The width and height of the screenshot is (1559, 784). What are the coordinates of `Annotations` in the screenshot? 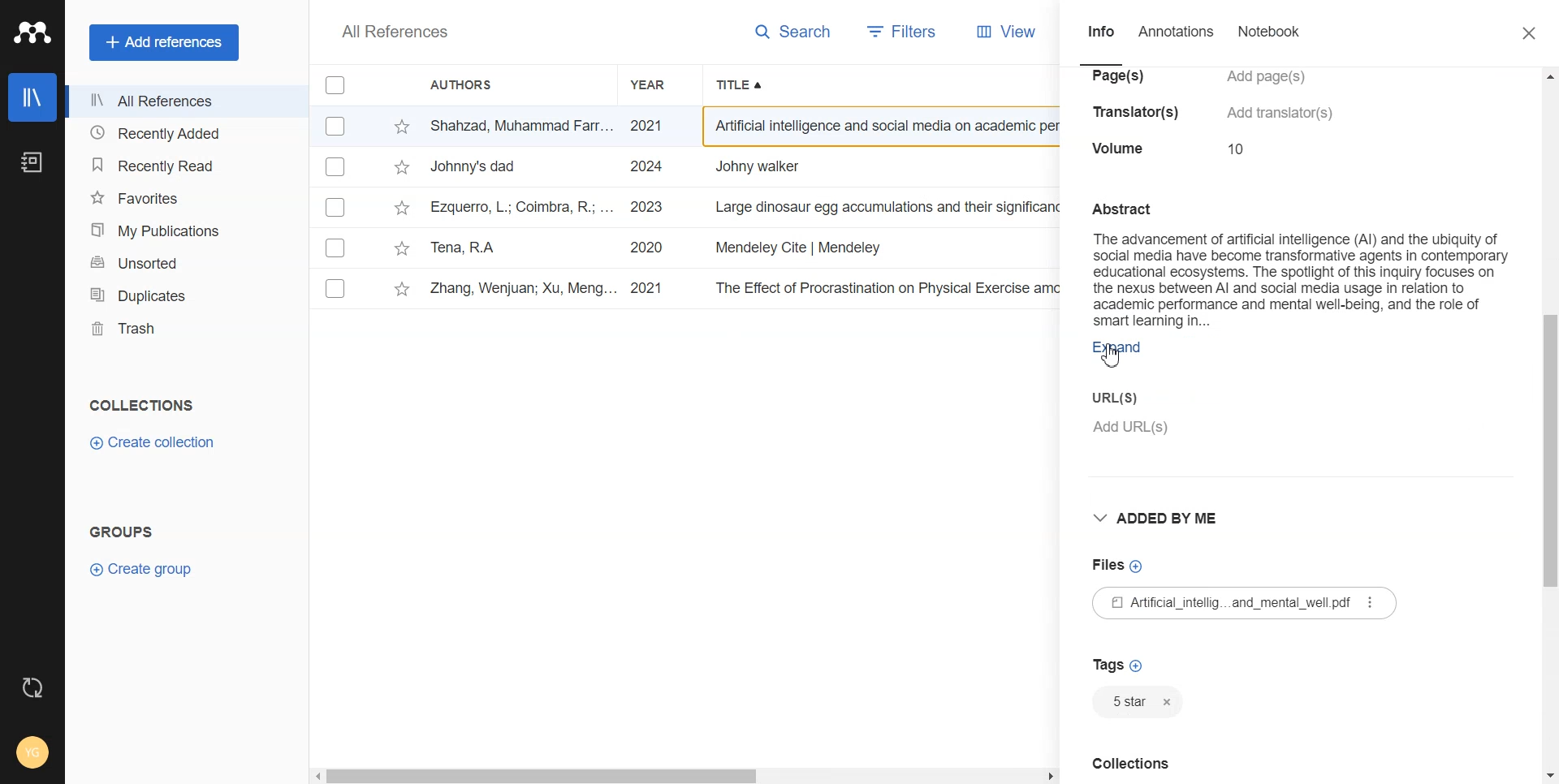 It's located at (1183, 31).